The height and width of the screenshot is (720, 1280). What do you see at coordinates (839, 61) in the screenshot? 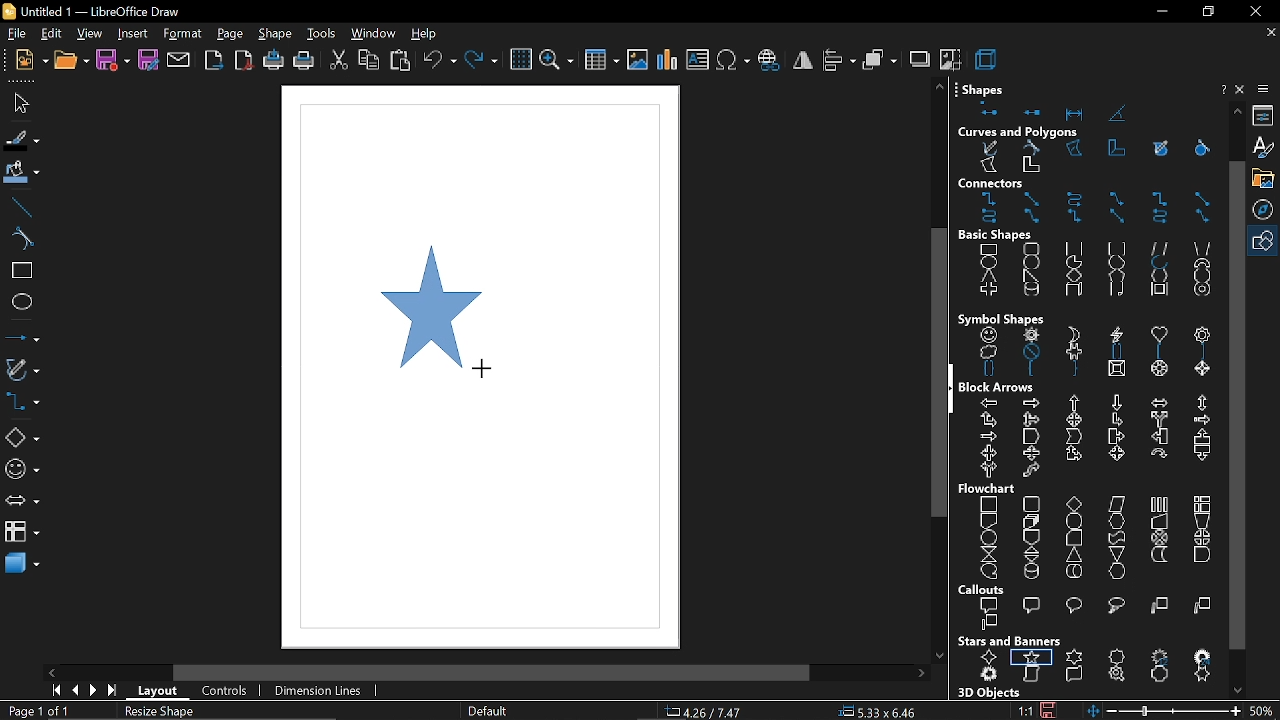
I see `align` at bounding box center [839, 61].